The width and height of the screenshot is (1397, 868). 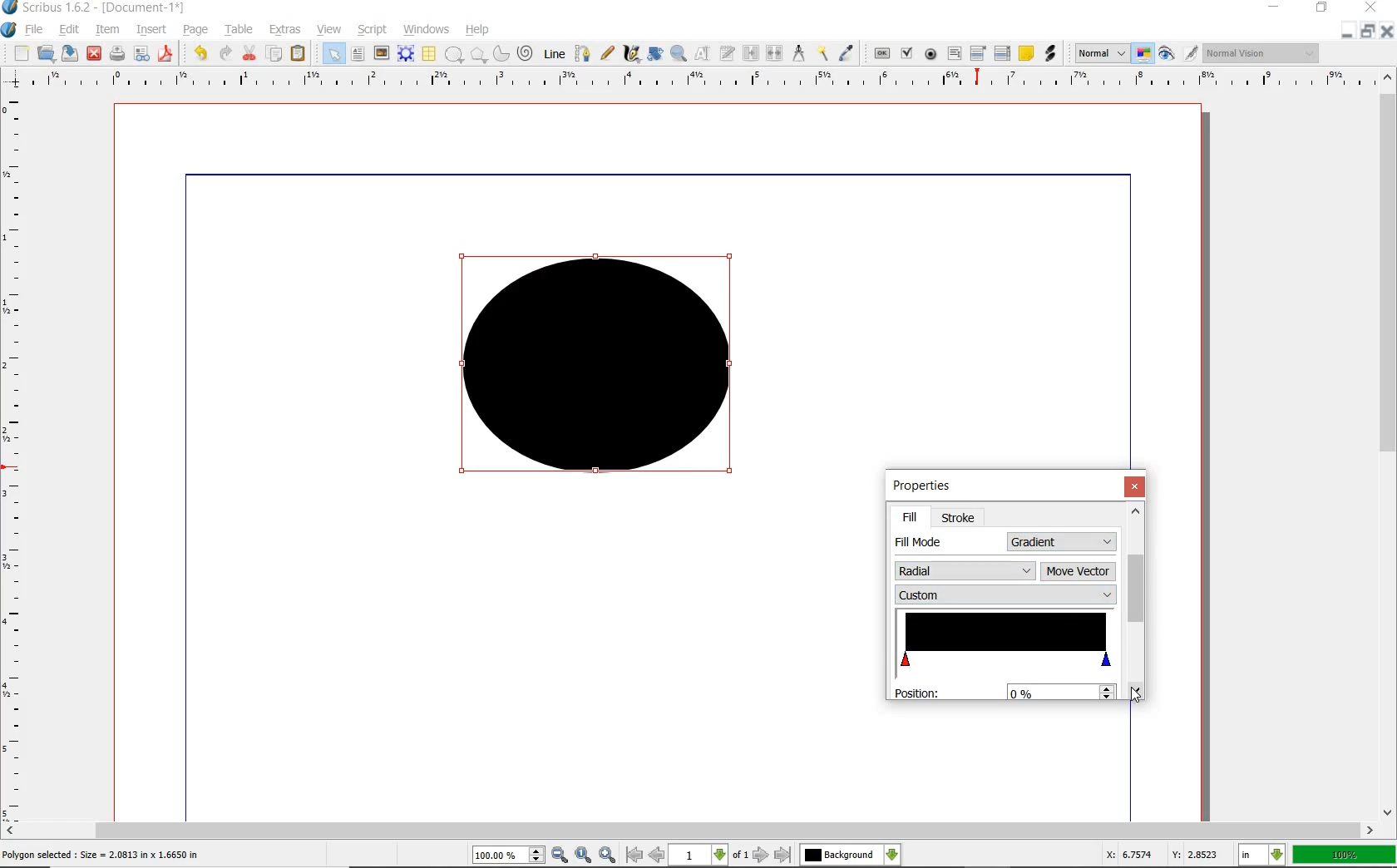 What do you see at coordinates (151, 30) in the screenshot?
I see `INSERT` at bounding box center [151, 30].